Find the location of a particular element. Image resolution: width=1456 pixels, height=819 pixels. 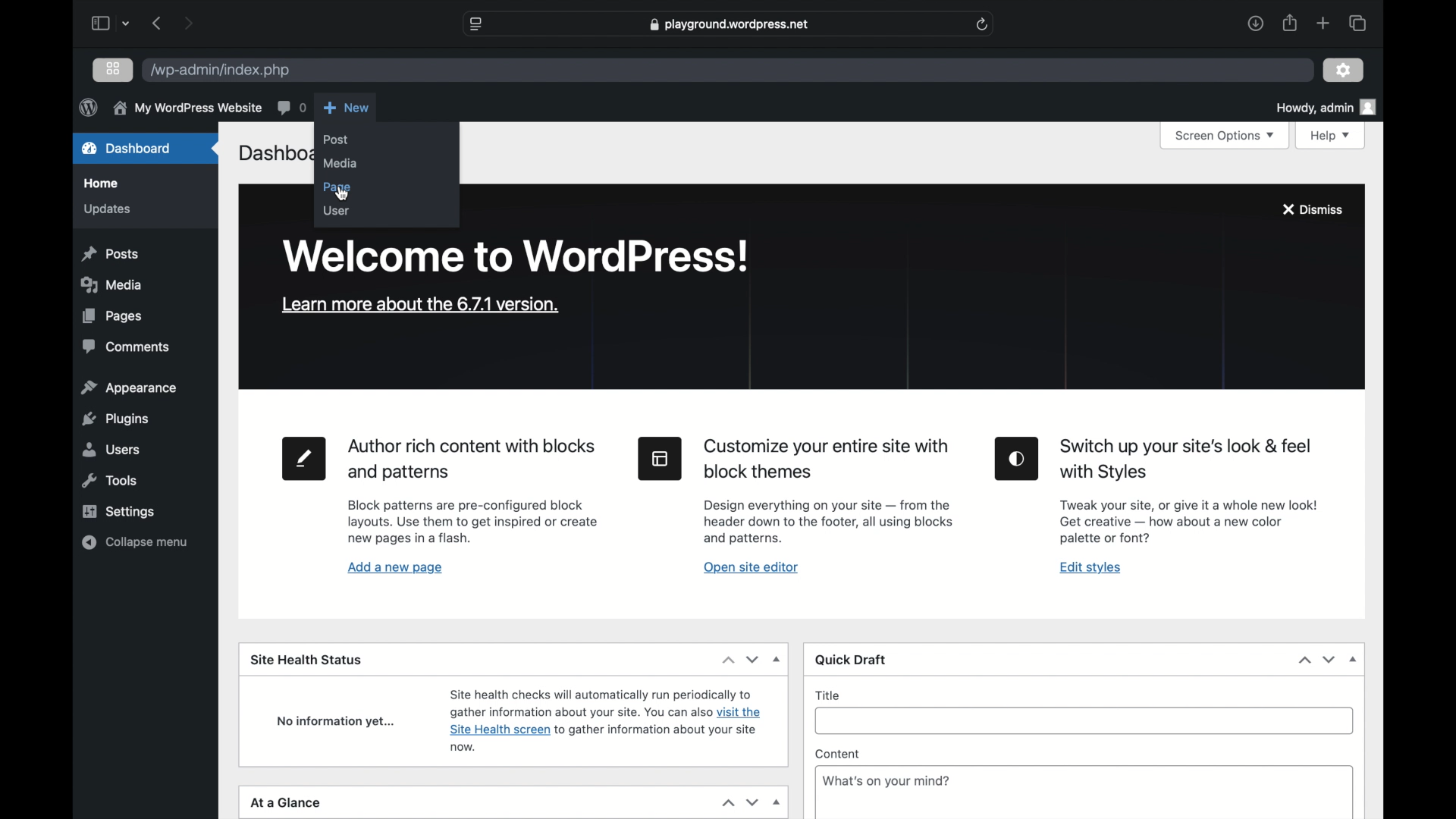

settings is located at coordinates (118, 513).